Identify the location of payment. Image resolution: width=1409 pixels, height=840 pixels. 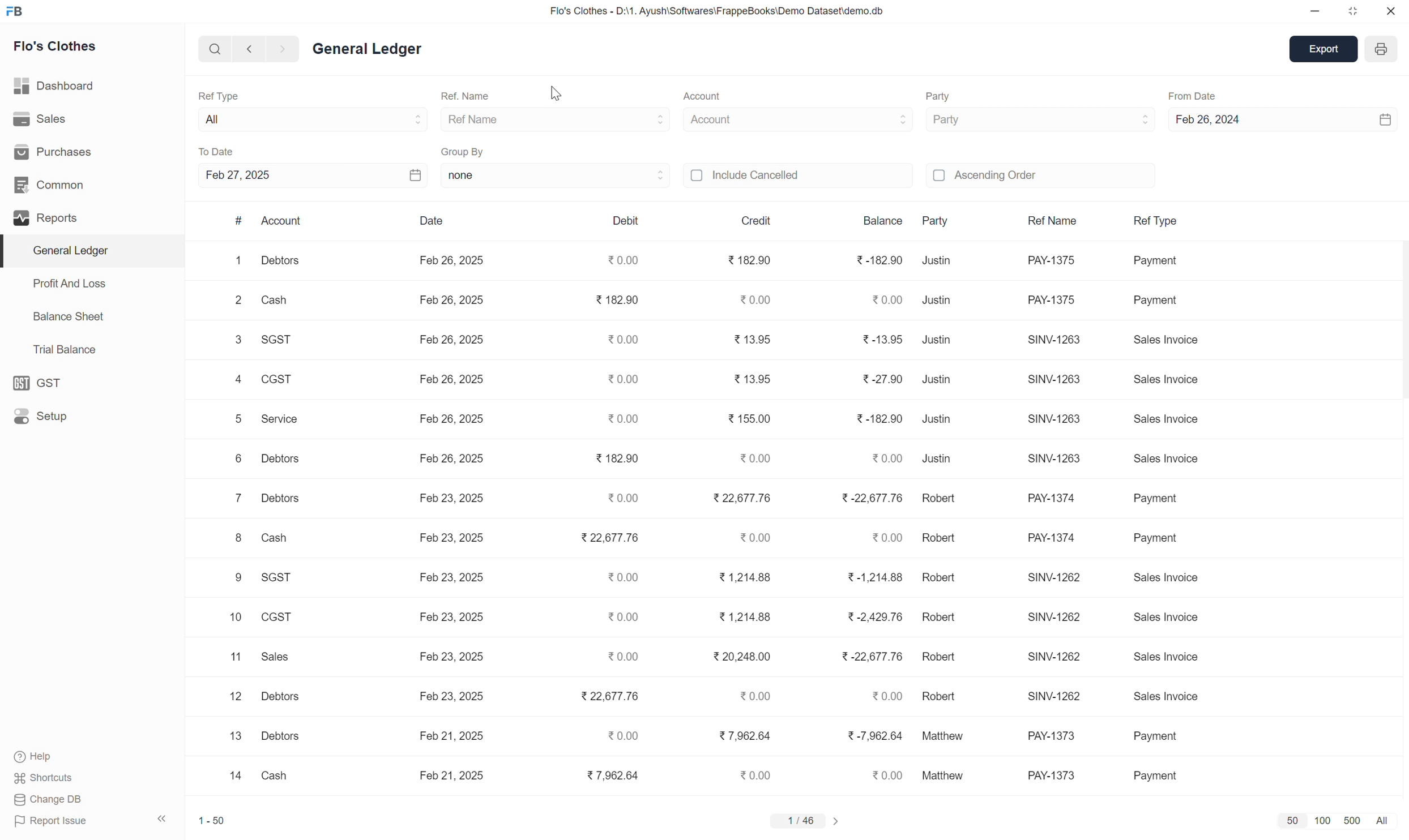
(1158, 500).